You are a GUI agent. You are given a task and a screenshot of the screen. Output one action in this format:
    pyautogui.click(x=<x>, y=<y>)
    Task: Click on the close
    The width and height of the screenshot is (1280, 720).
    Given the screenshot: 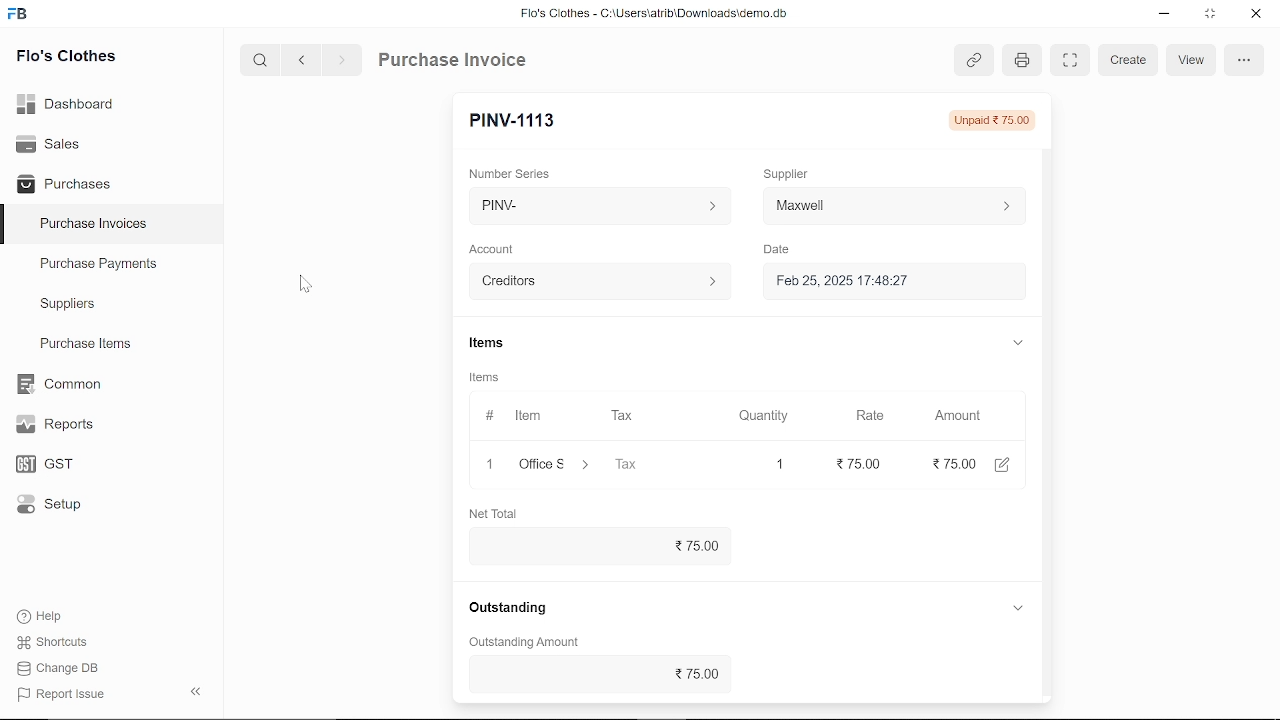 What is the action you would take?
    pyautogui.click(x=486, y=464)
    